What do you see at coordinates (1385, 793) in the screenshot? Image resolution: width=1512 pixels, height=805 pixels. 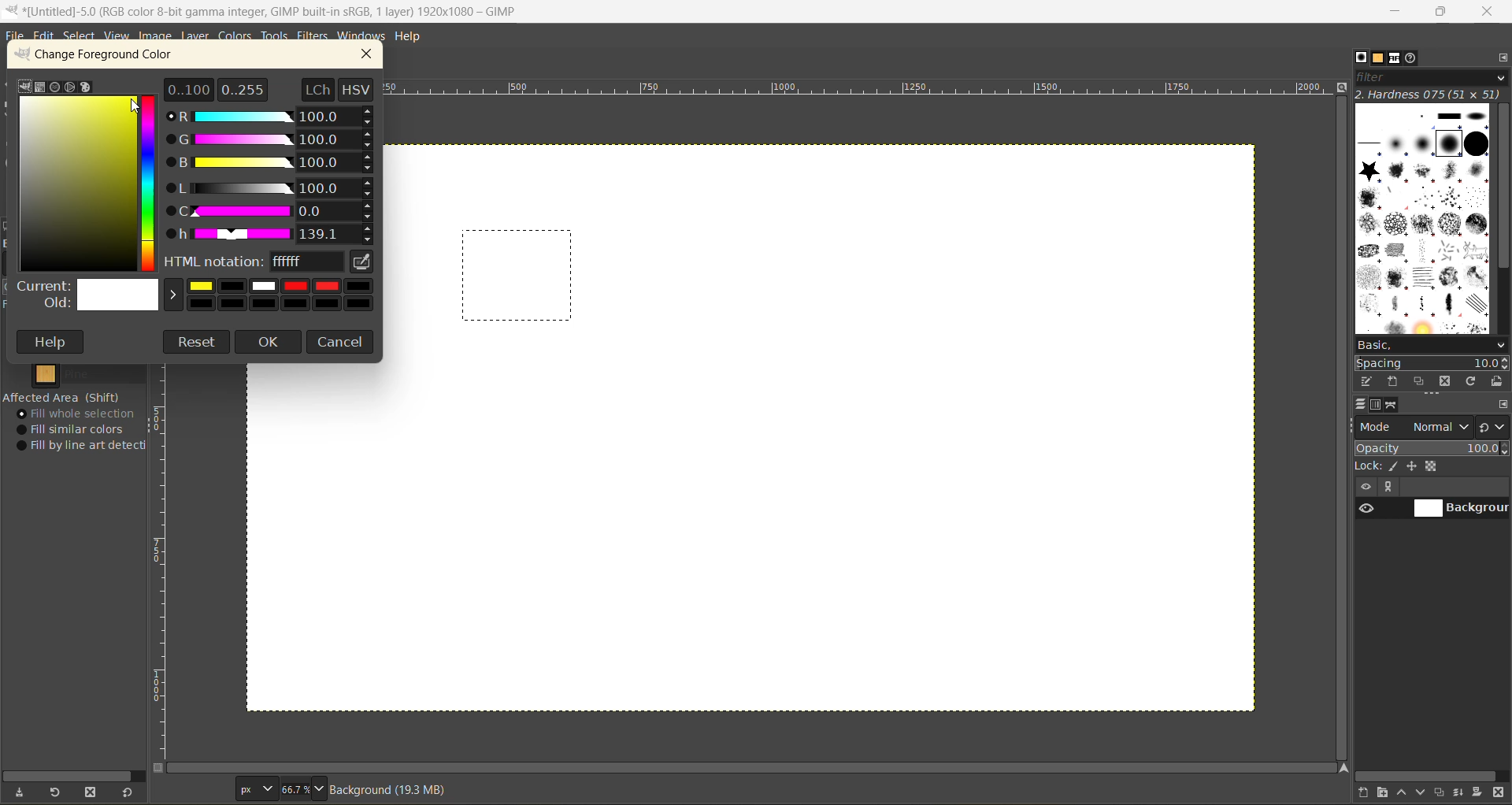 I see `create a new layer group` at bounding box center [1385, 793].